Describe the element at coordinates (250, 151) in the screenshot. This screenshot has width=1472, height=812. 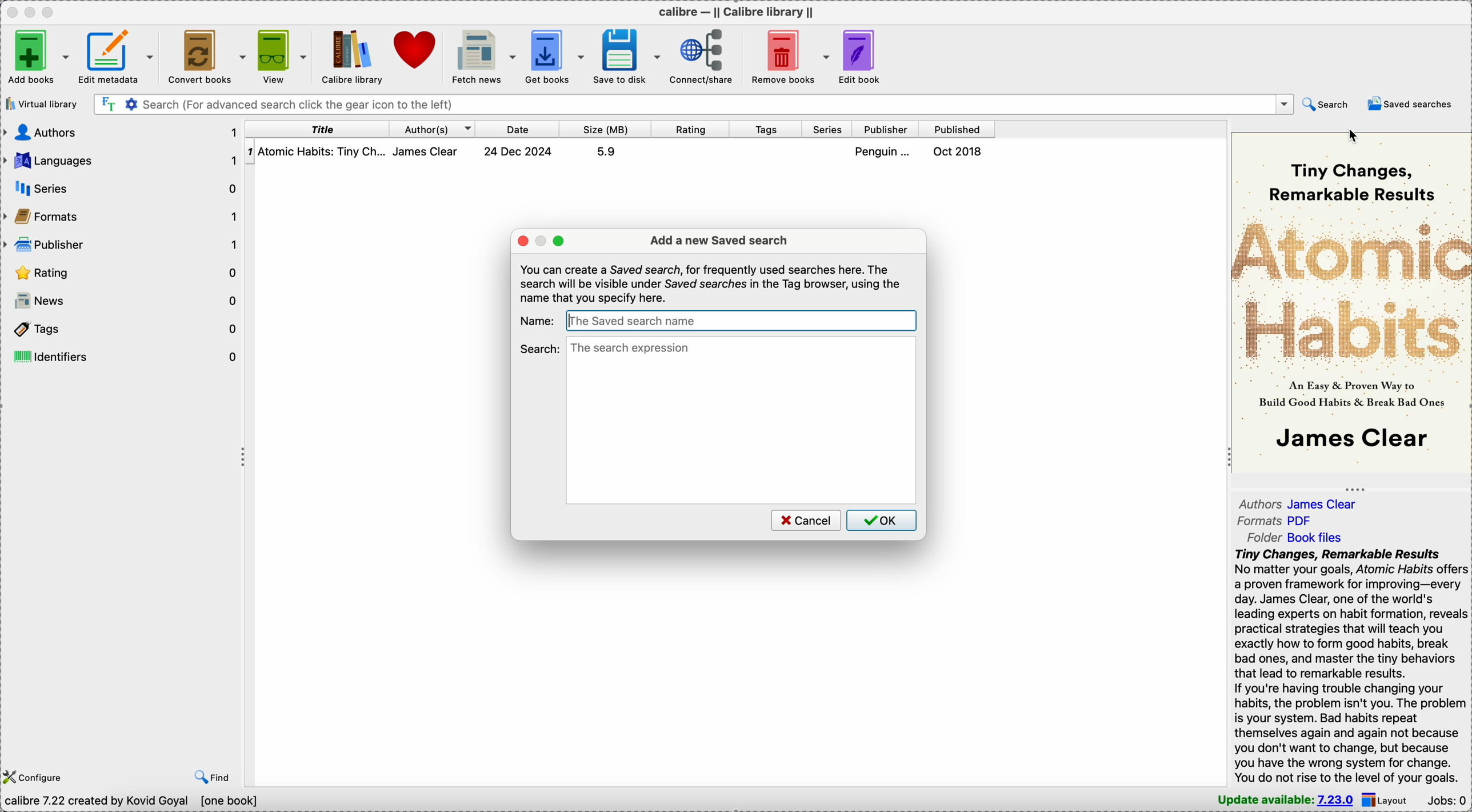
I see `1 - index number` at that location.